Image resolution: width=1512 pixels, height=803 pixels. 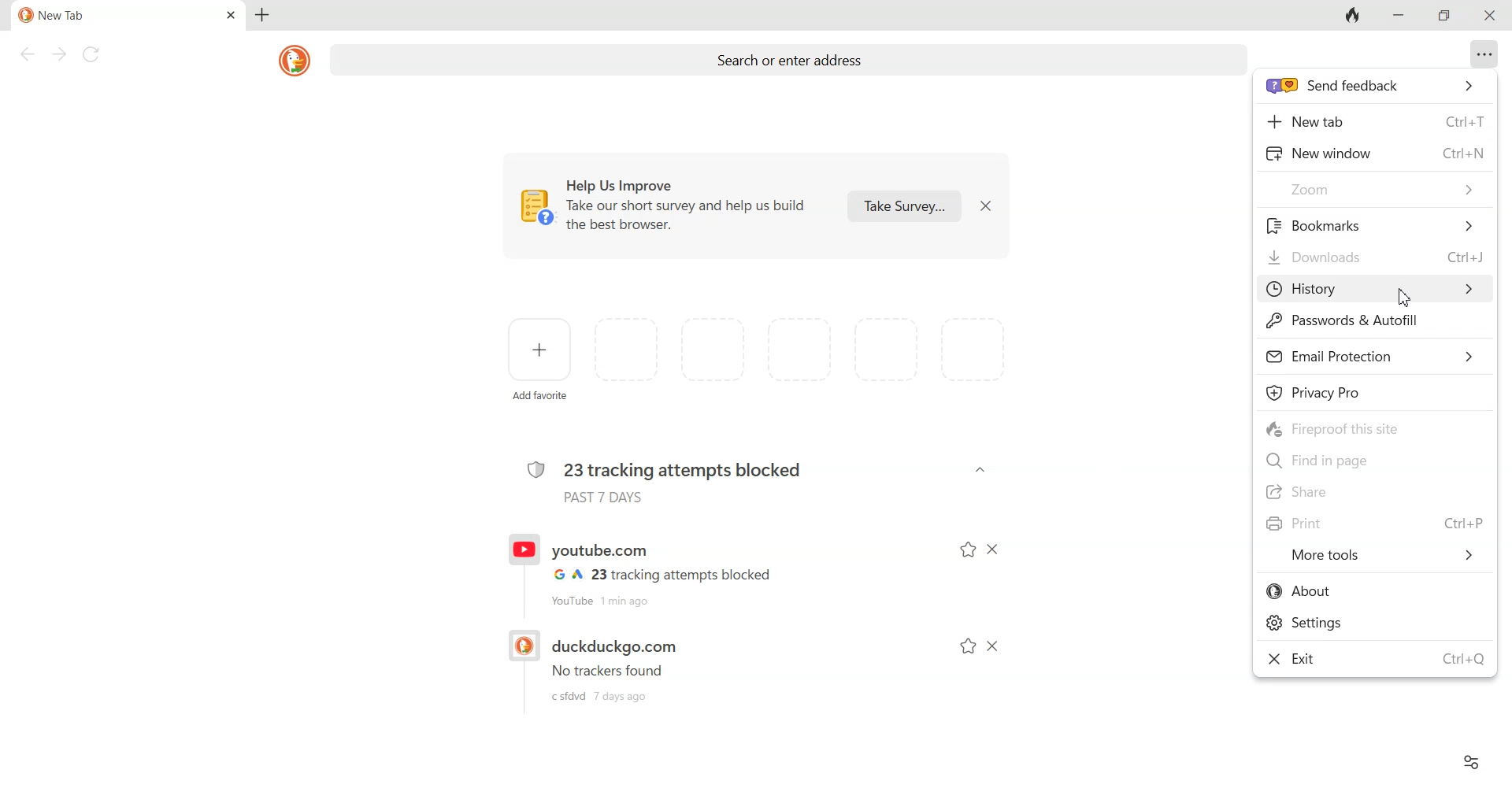 I want to click on DuckDuckGo logo, so click(x=296, y=60).